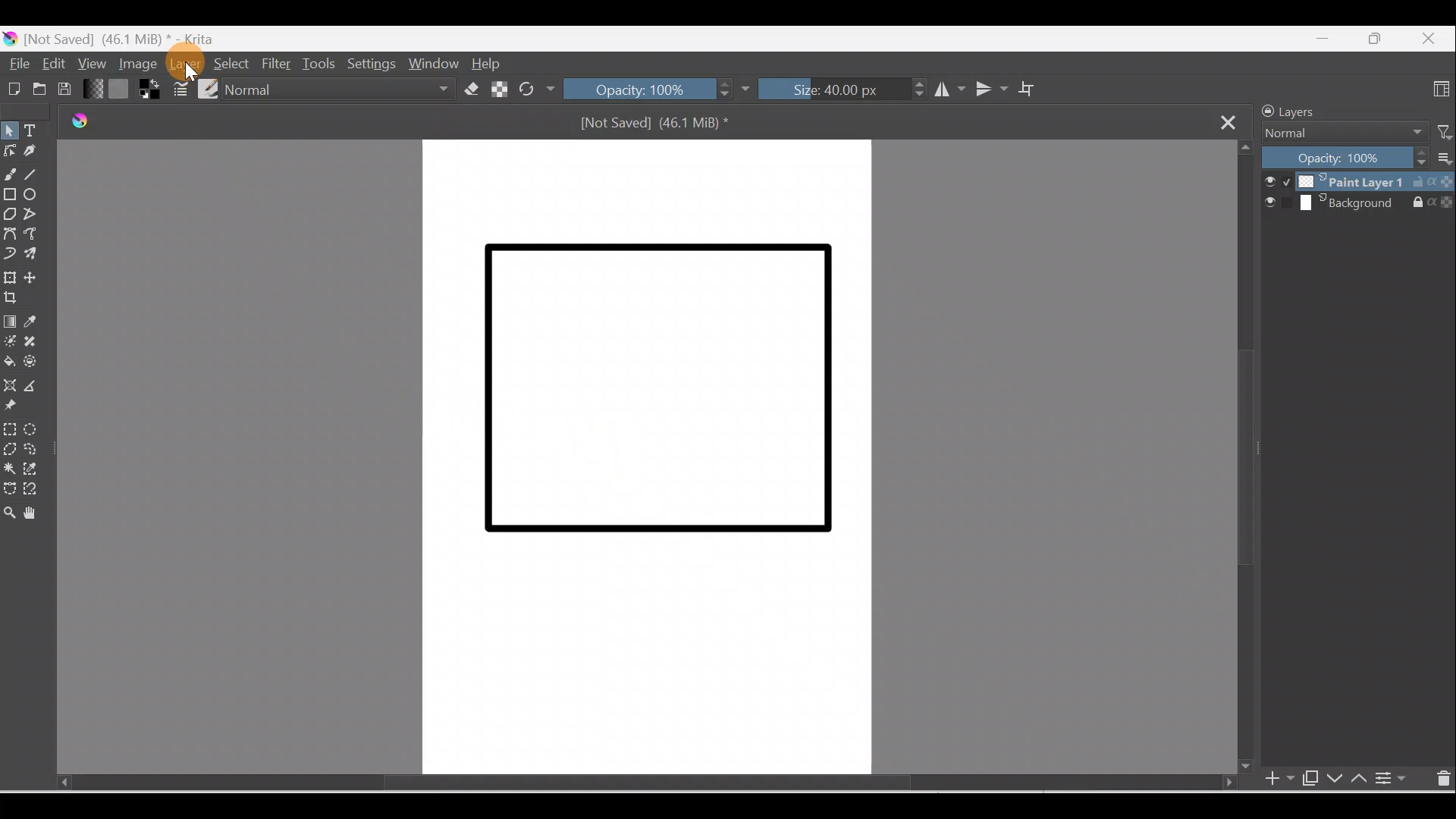 This screenshot has height=819, width=1456. Describe the element at coordinates (11, 341) in the screenshot. I see `Colourise mask tool` at that location.